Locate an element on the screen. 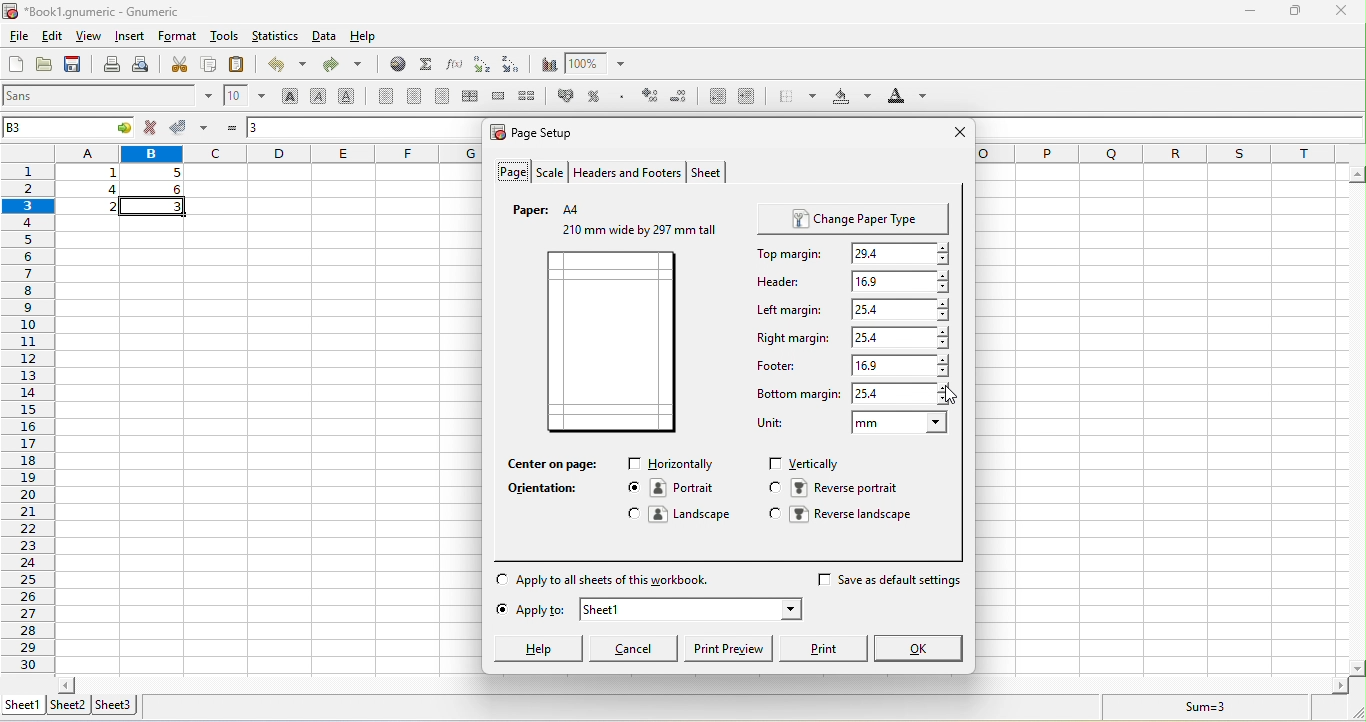  paper a4 is located at coordinates (554, 208).